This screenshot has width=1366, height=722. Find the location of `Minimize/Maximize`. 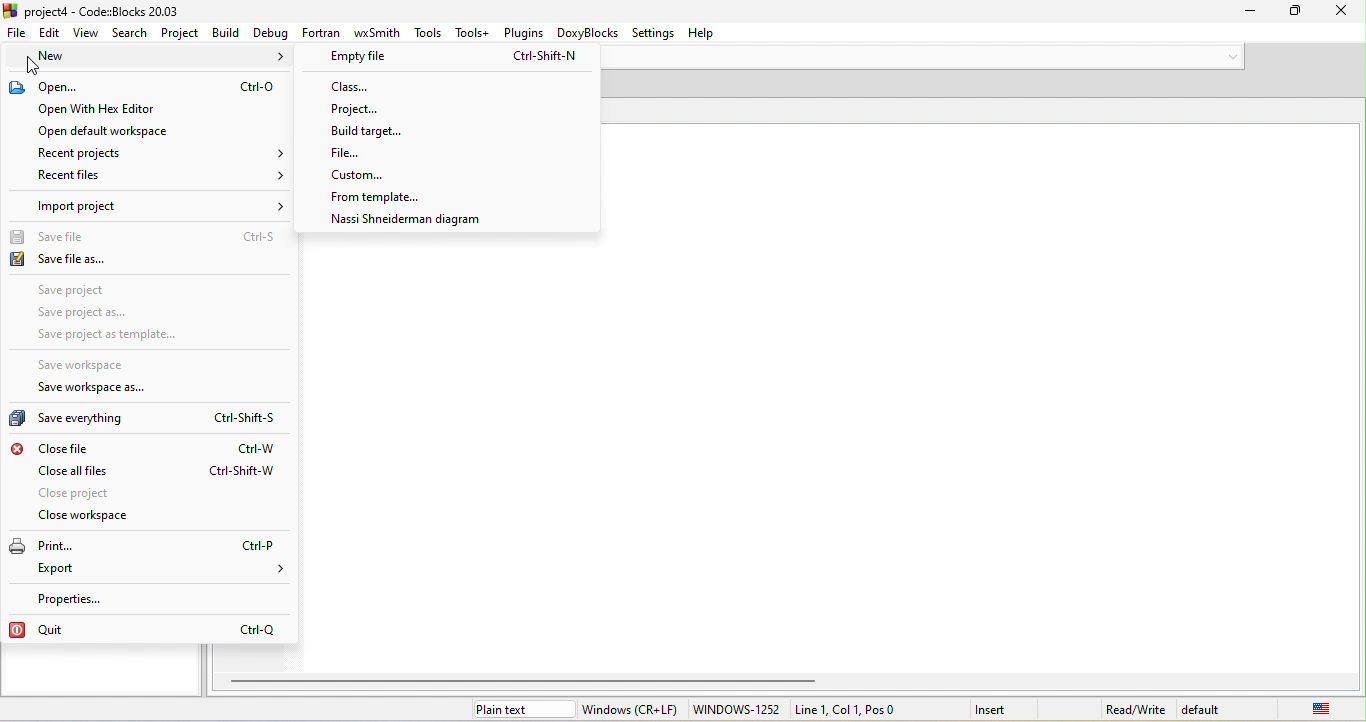

Minimize/Maximize is located at coordinates (1288, 11).